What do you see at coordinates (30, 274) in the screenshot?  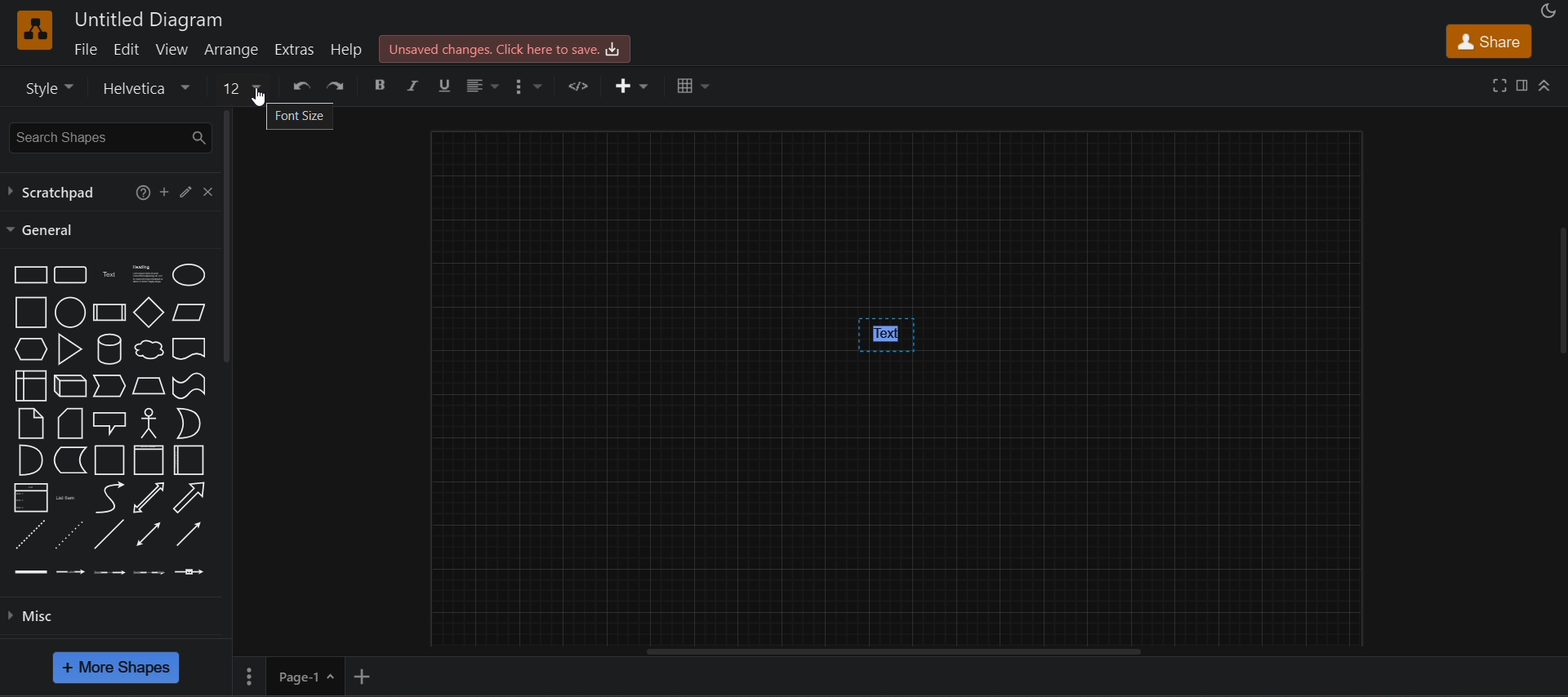 I see `Rectangle` at bounding box center [30, 274].